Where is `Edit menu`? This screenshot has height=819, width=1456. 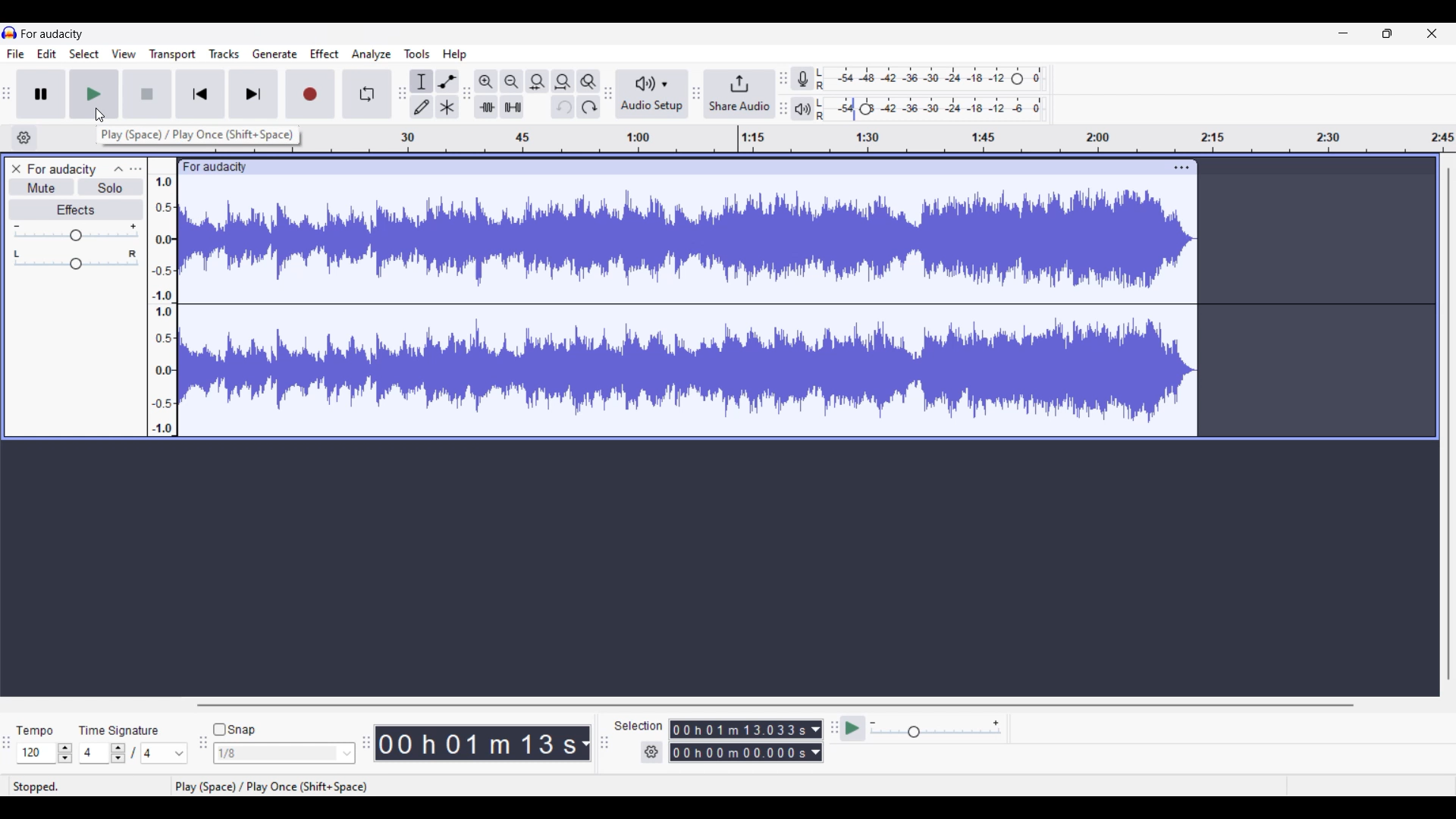
Edit menu is located at coordinates (47, 53).